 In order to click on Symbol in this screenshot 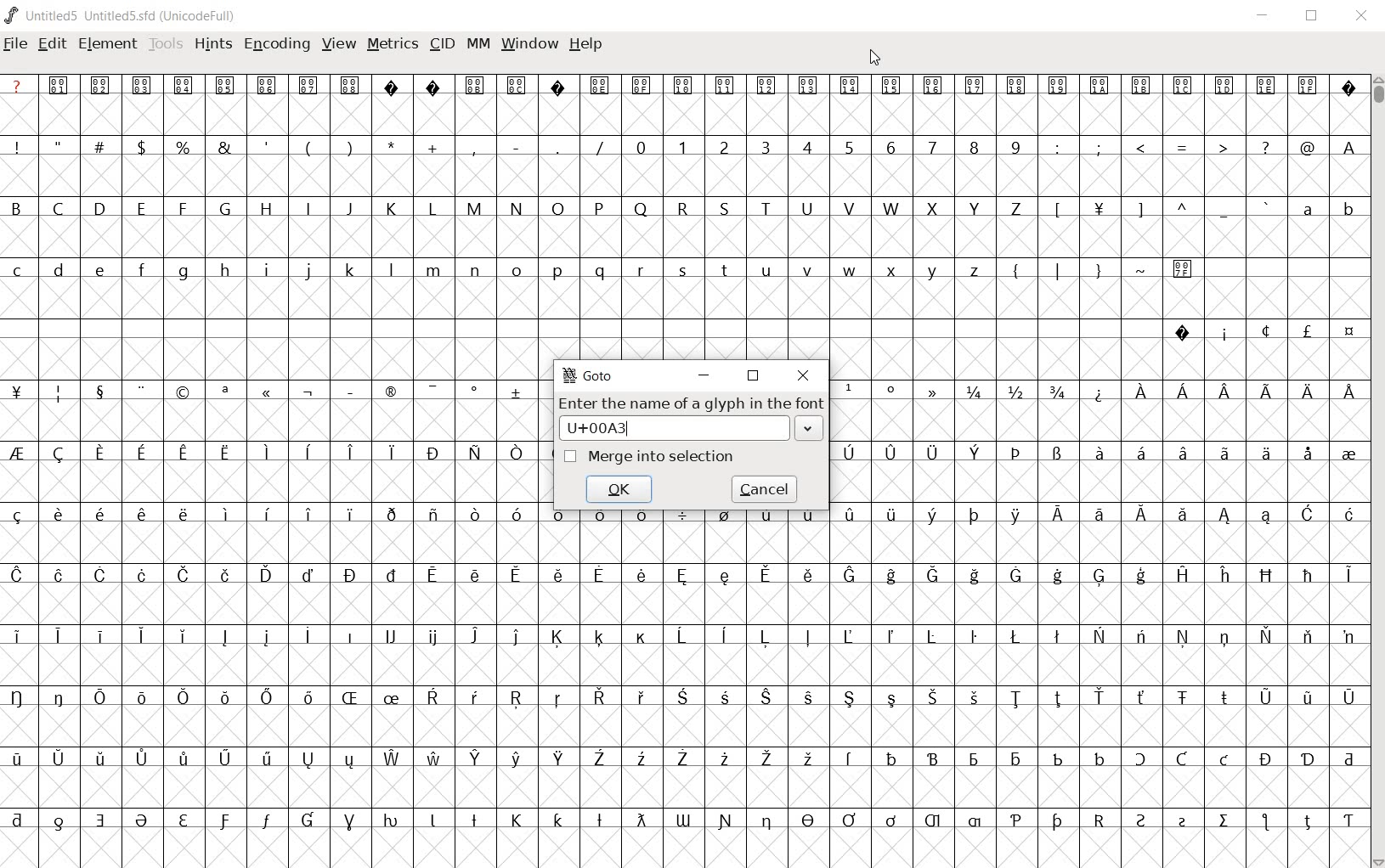, I will do `click(307, 451)`.